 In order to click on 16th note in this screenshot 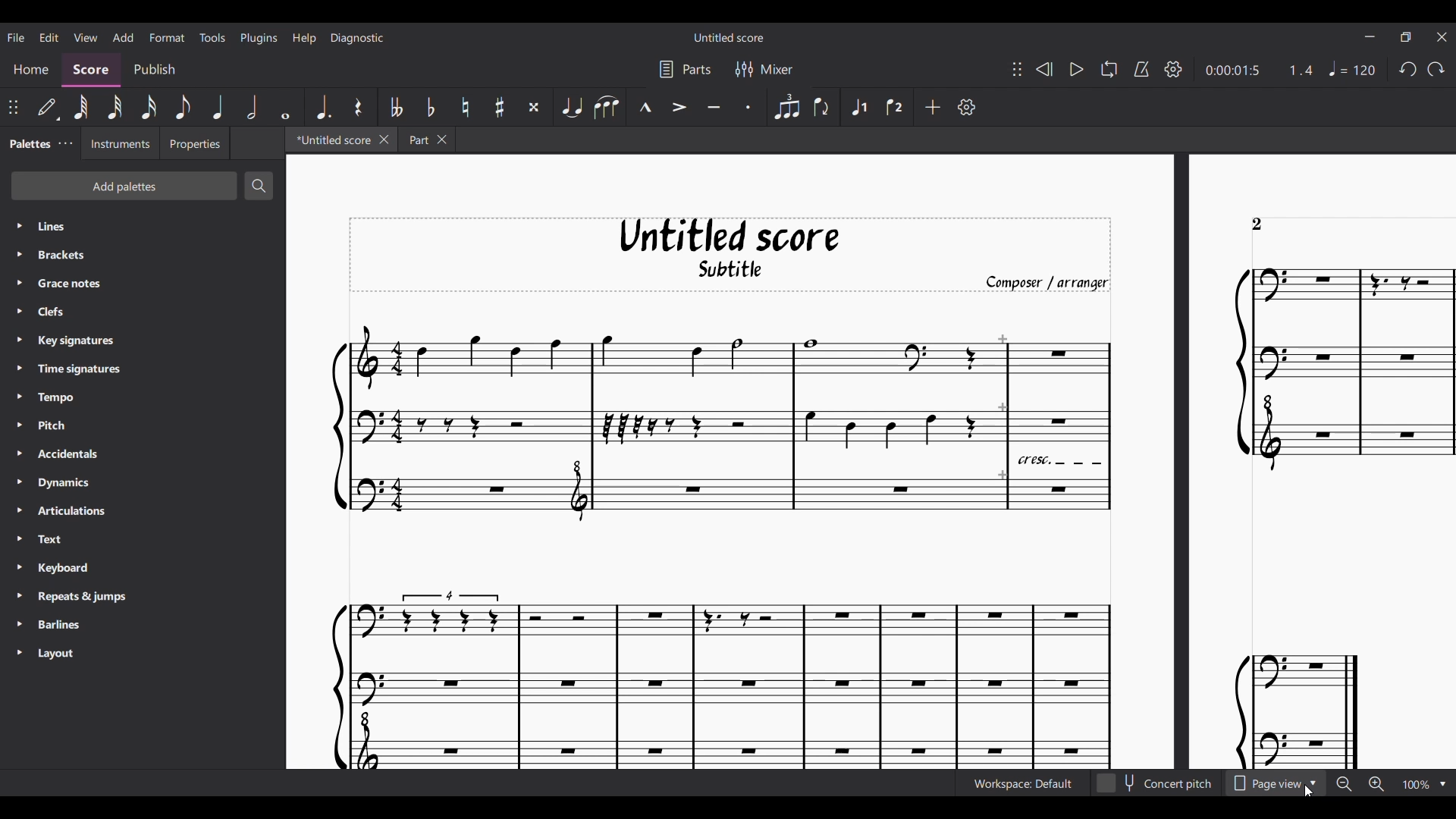, I will do `click(149, 107)`.